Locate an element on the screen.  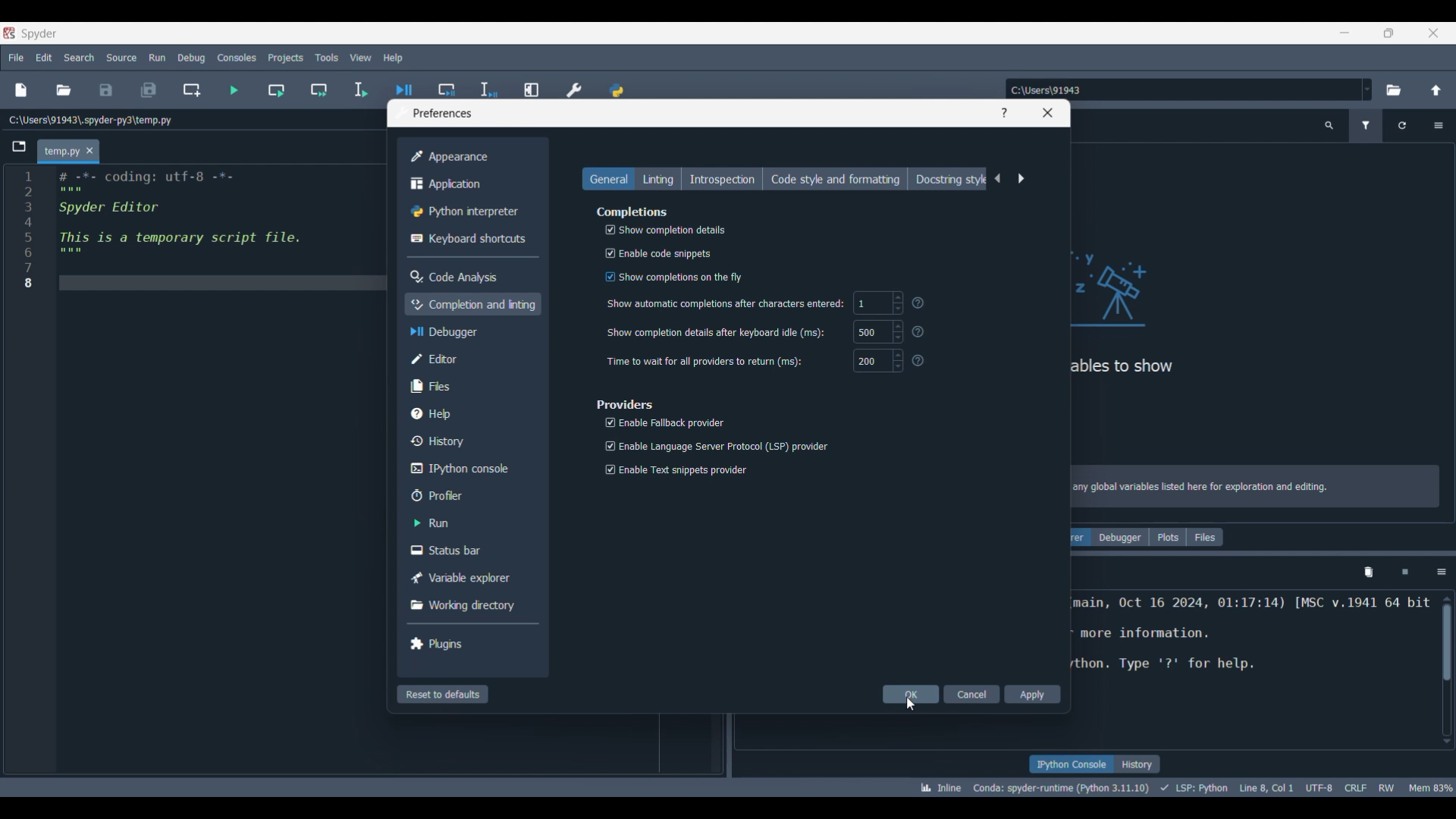
500 is located at coordinates (877, 331).